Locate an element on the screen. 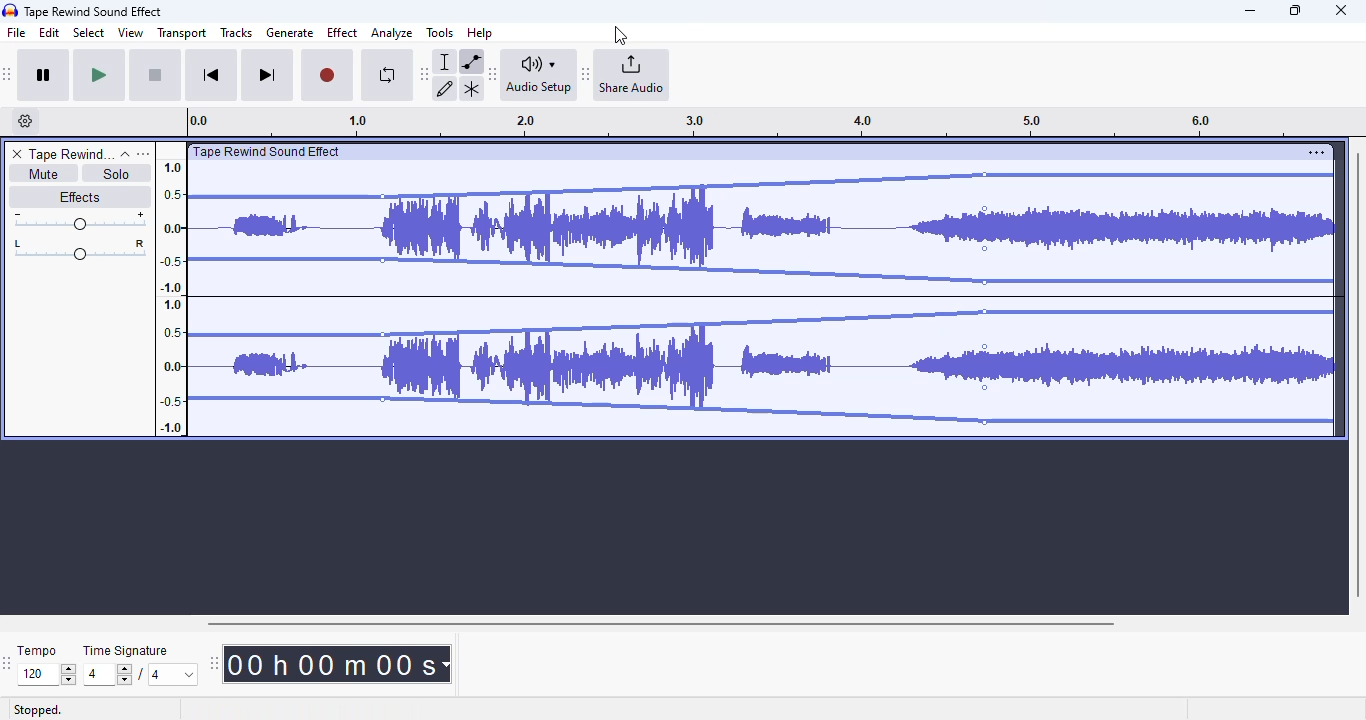 This screenshot has height=720, width=1366. multi-tool is located at coordinates (471, 89).